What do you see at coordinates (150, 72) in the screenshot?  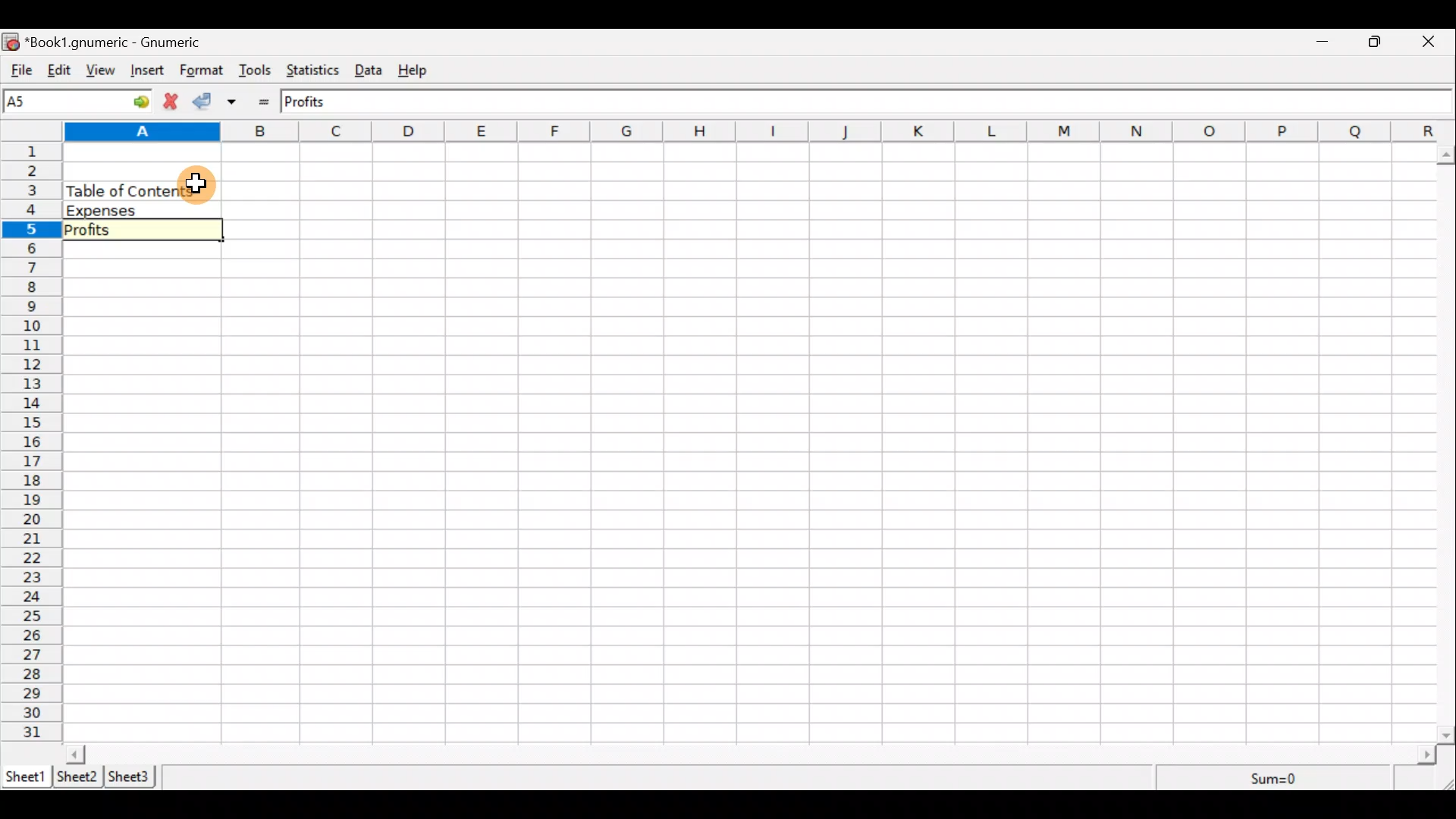 I see `Insert` at bounding box center [150, 72].